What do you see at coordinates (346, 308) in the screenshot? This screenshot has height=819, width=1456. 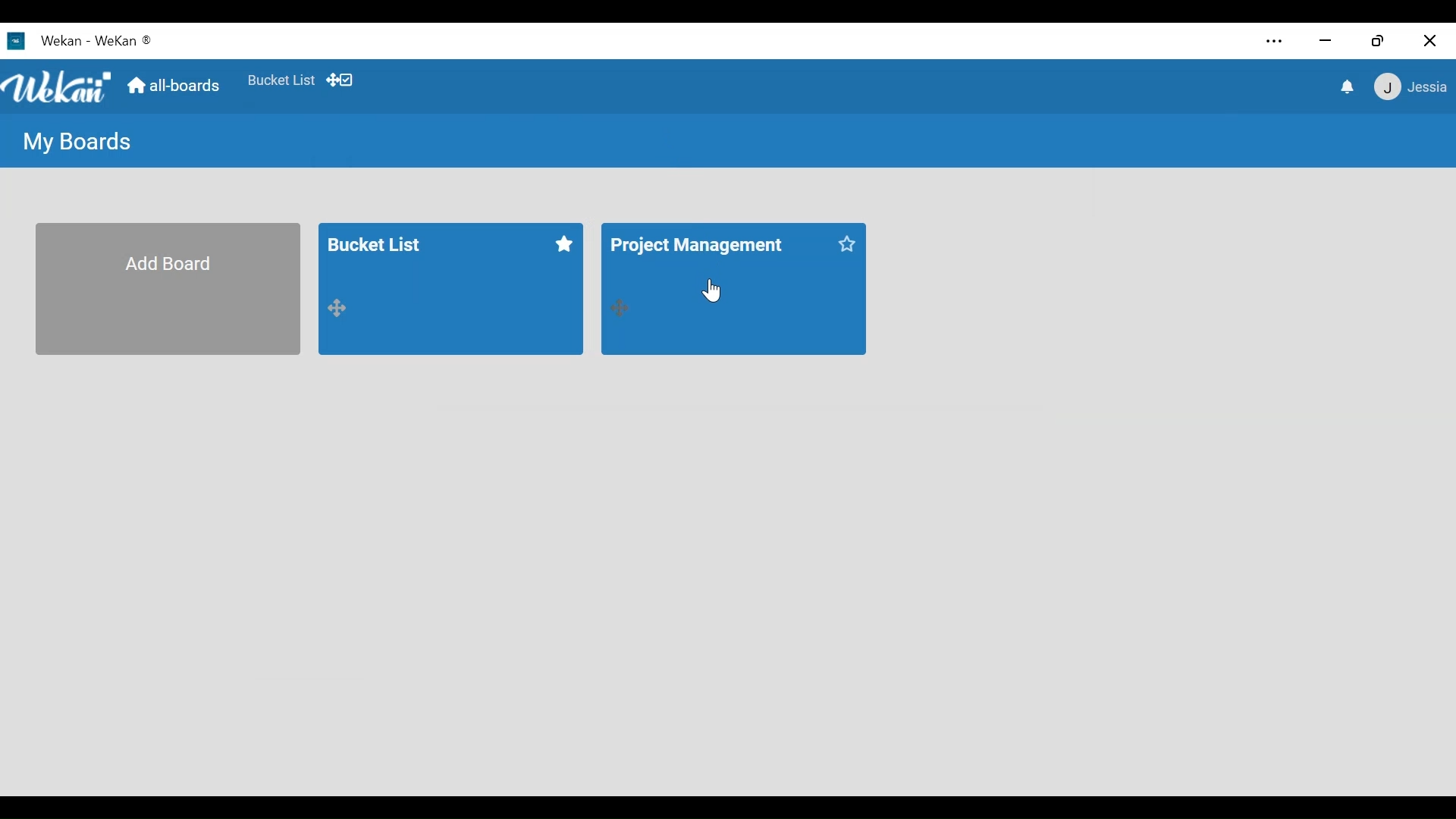 I see `drag` at bounding box center [346, 308].